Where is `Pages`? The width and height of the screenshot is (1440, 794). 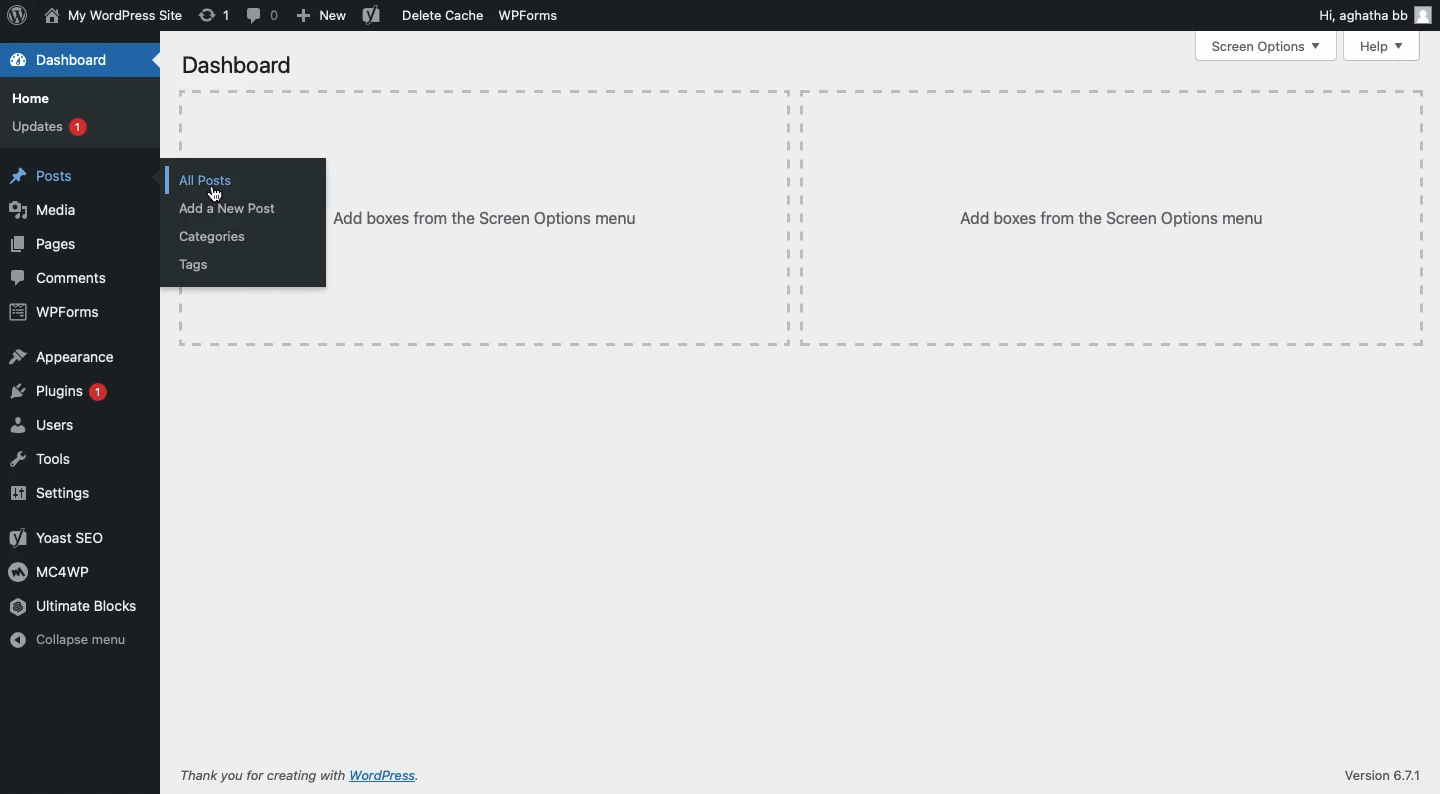
Pages is located at coordinates (44, 245).